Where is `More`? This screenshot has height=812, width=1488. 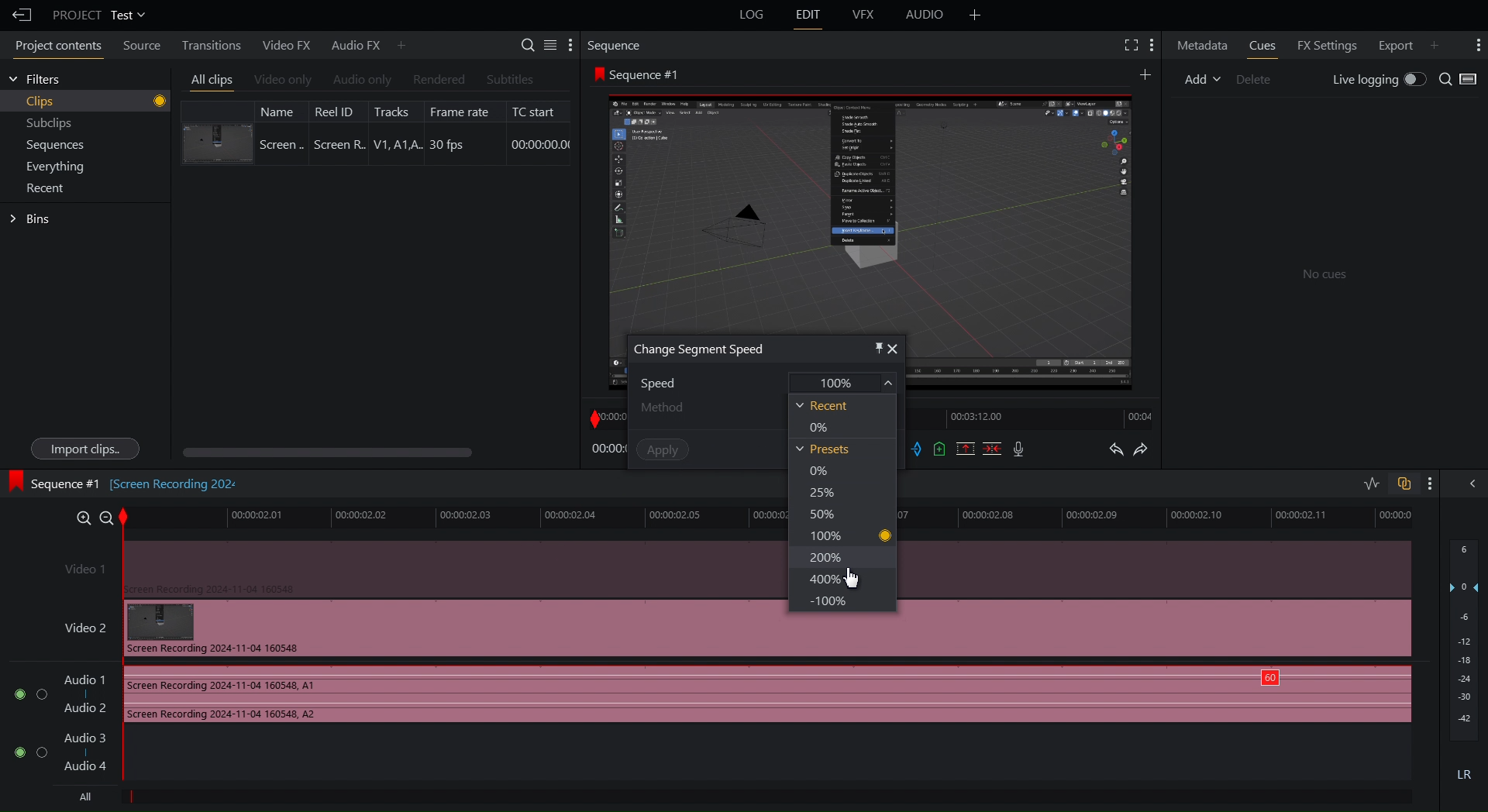 More is located at coordinates (402, 44).